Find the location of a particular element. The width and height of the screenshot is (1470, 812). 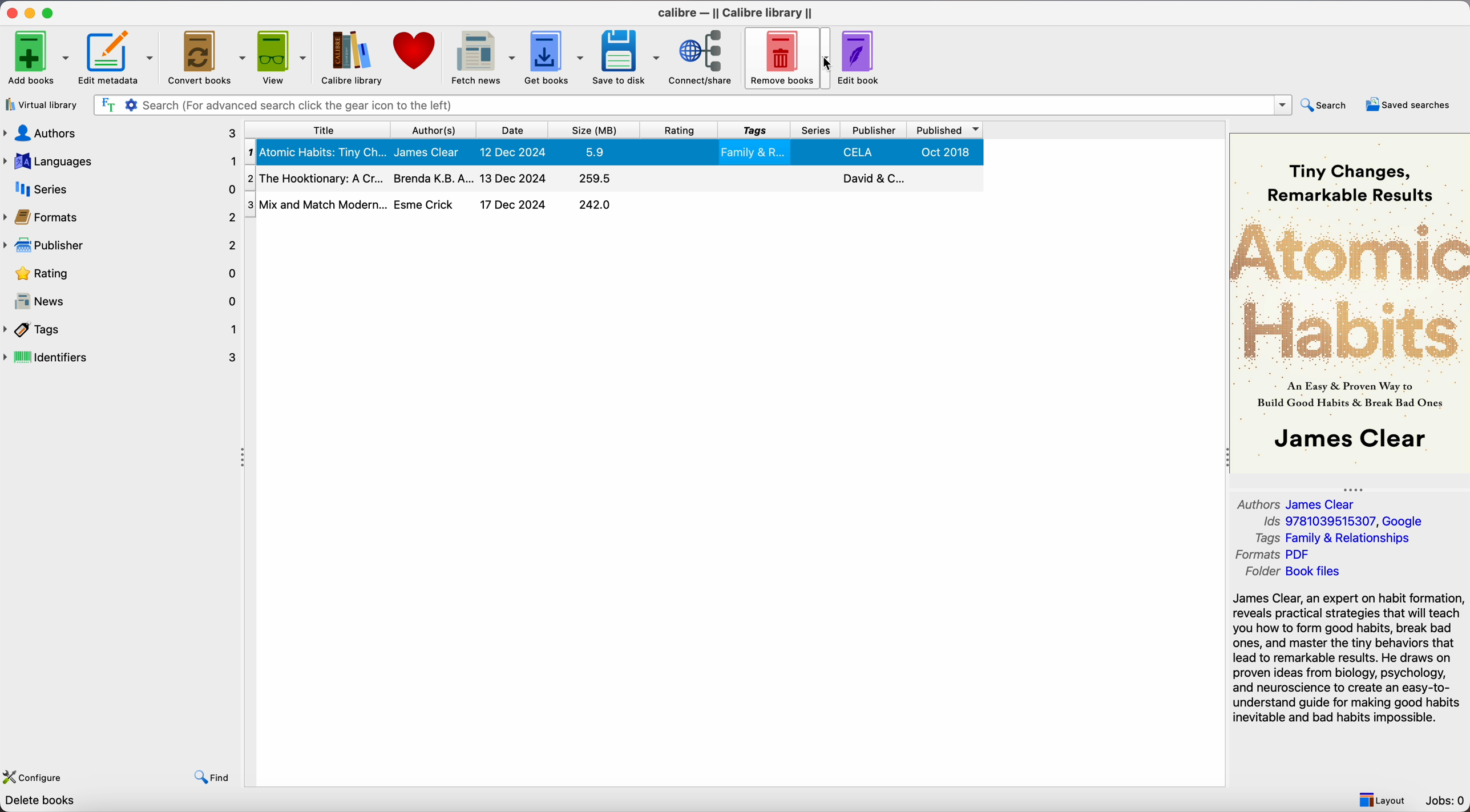

Tags Family & Relationships is located at coordinates (1330, 538).